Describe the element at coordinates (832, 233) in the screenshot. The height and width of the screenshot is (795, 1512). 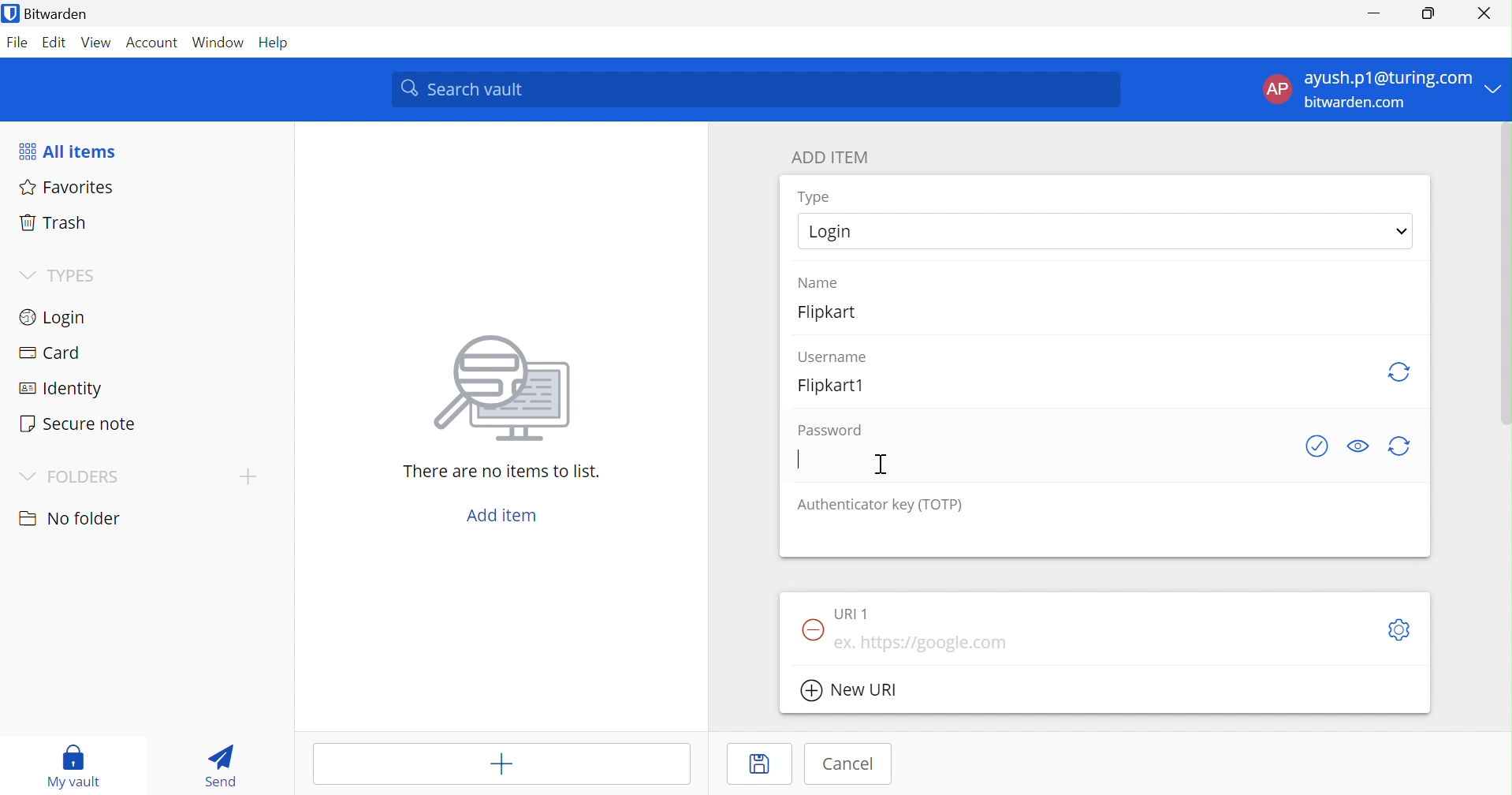
I see `Login` at that location.